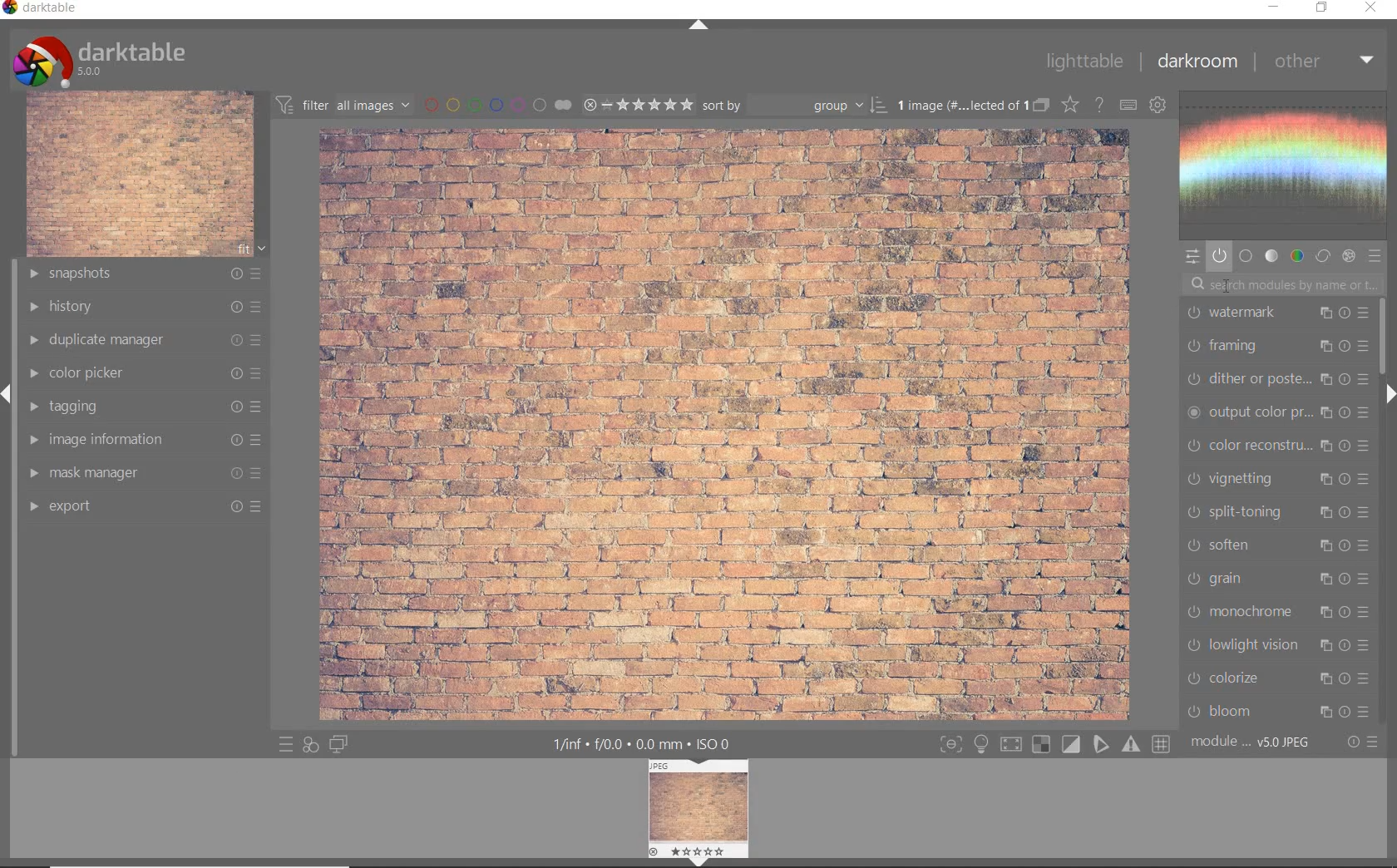 The width and height of the screenshot is (1397, 868). What do you see at coordinates (1278, 446) in the screenshot?
I see `color reconstruction` at bounding box center [1278, 446].